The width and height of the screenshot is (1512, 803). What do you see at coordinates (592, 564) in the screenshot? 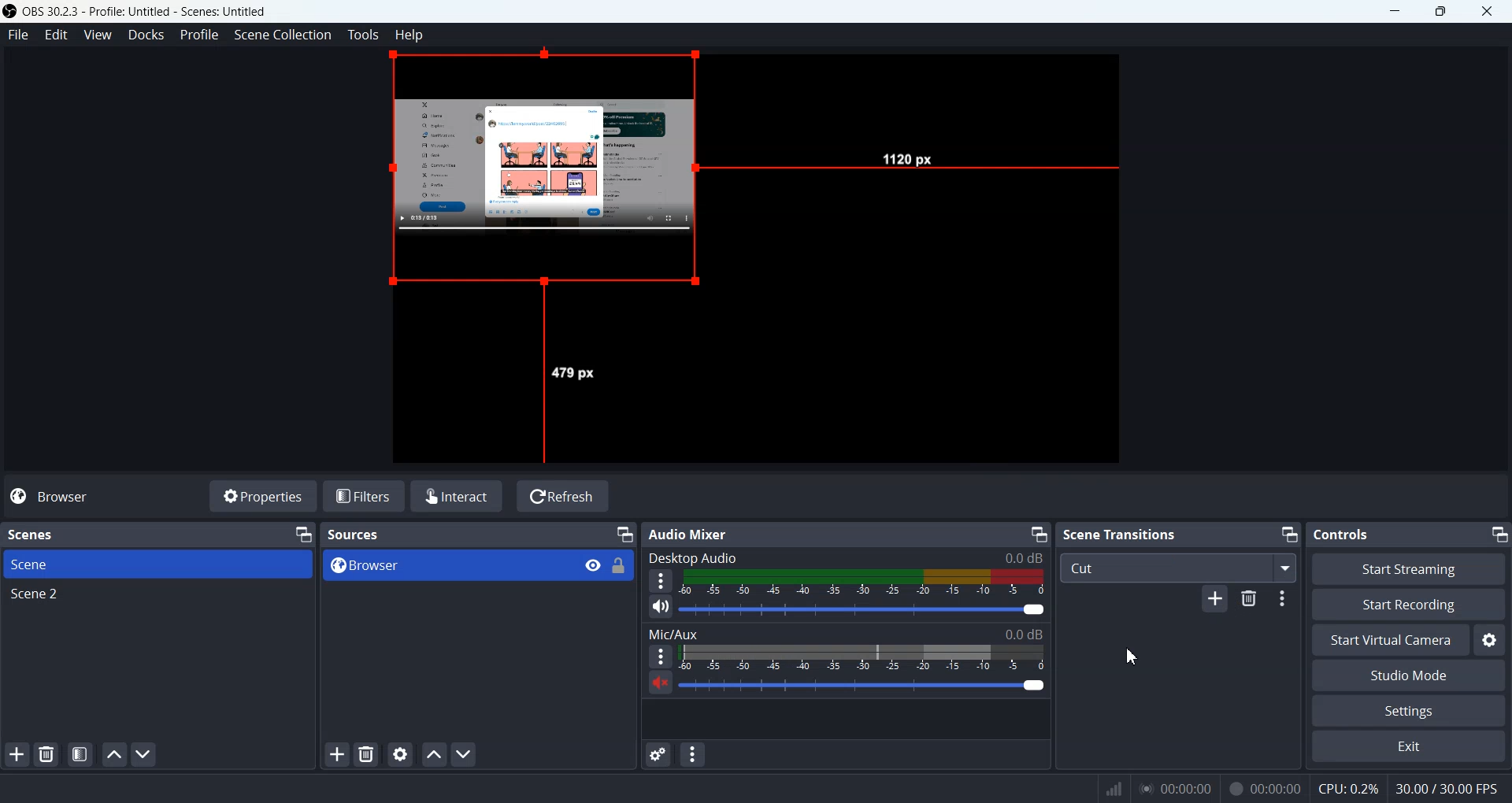
I see `View` at bounding box center [592, 564].